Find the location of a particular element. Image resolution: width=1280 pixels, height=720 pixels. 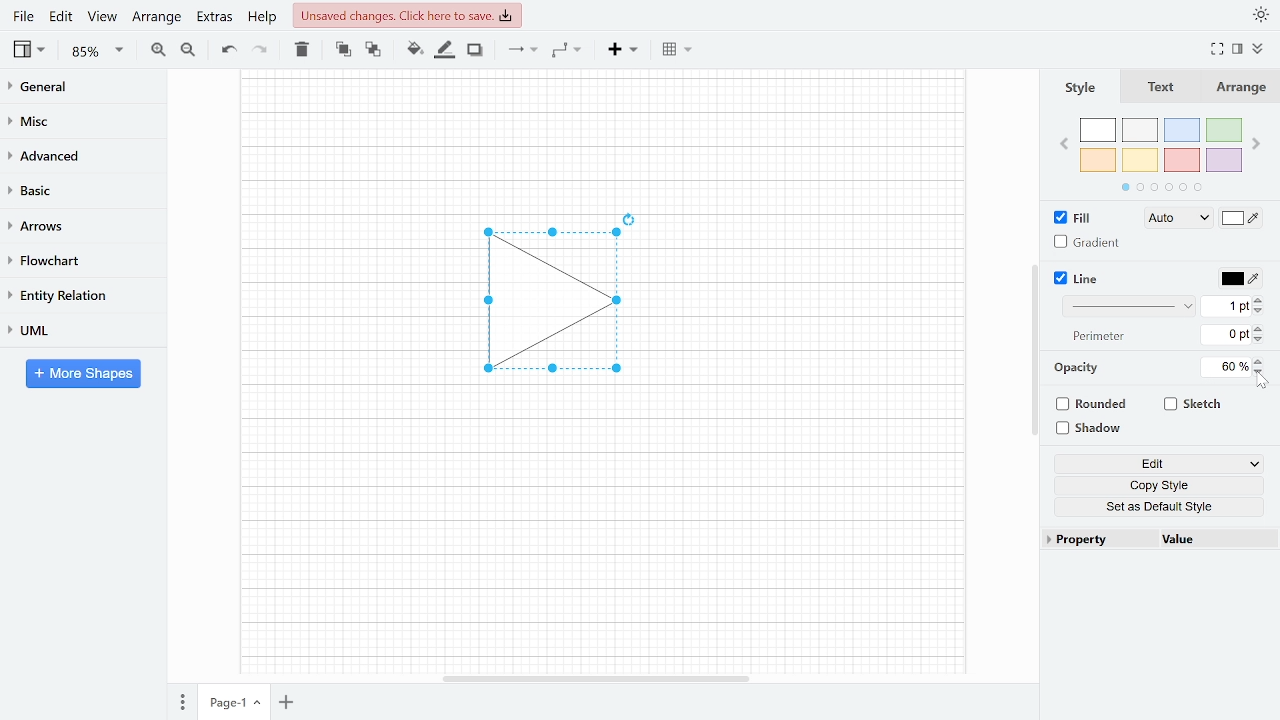

violet is located at coordinates (1223, 160).